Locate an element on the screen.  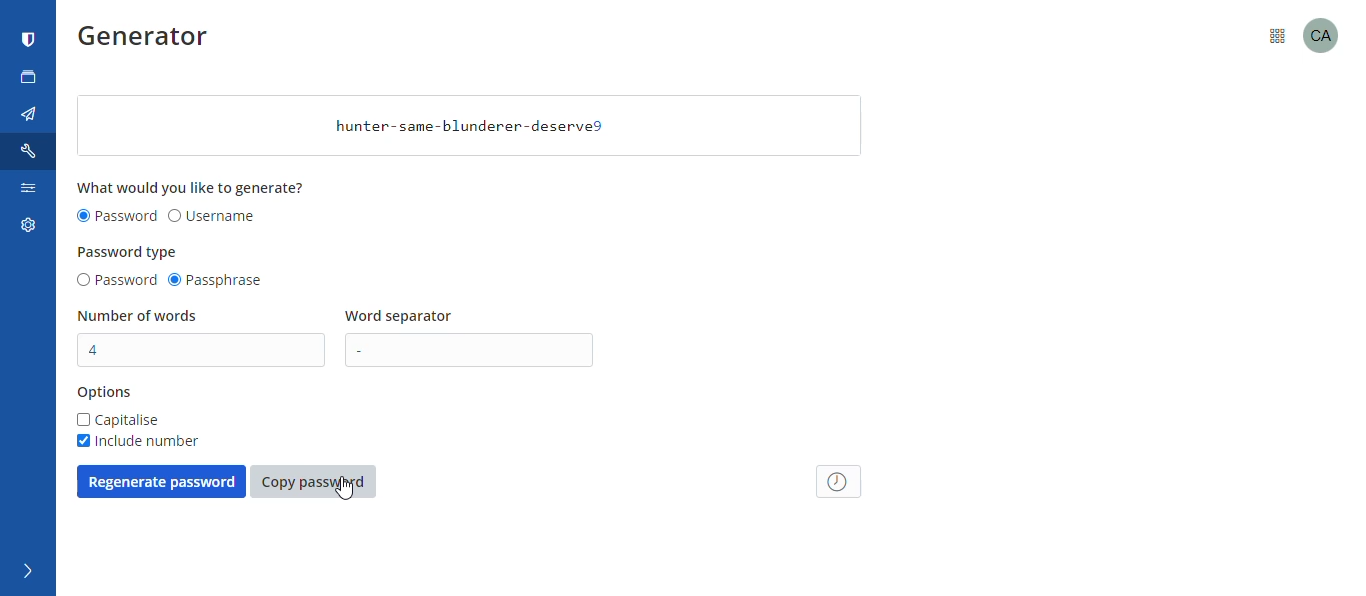
what would you like to generate? is located at coordinates (193, 187).